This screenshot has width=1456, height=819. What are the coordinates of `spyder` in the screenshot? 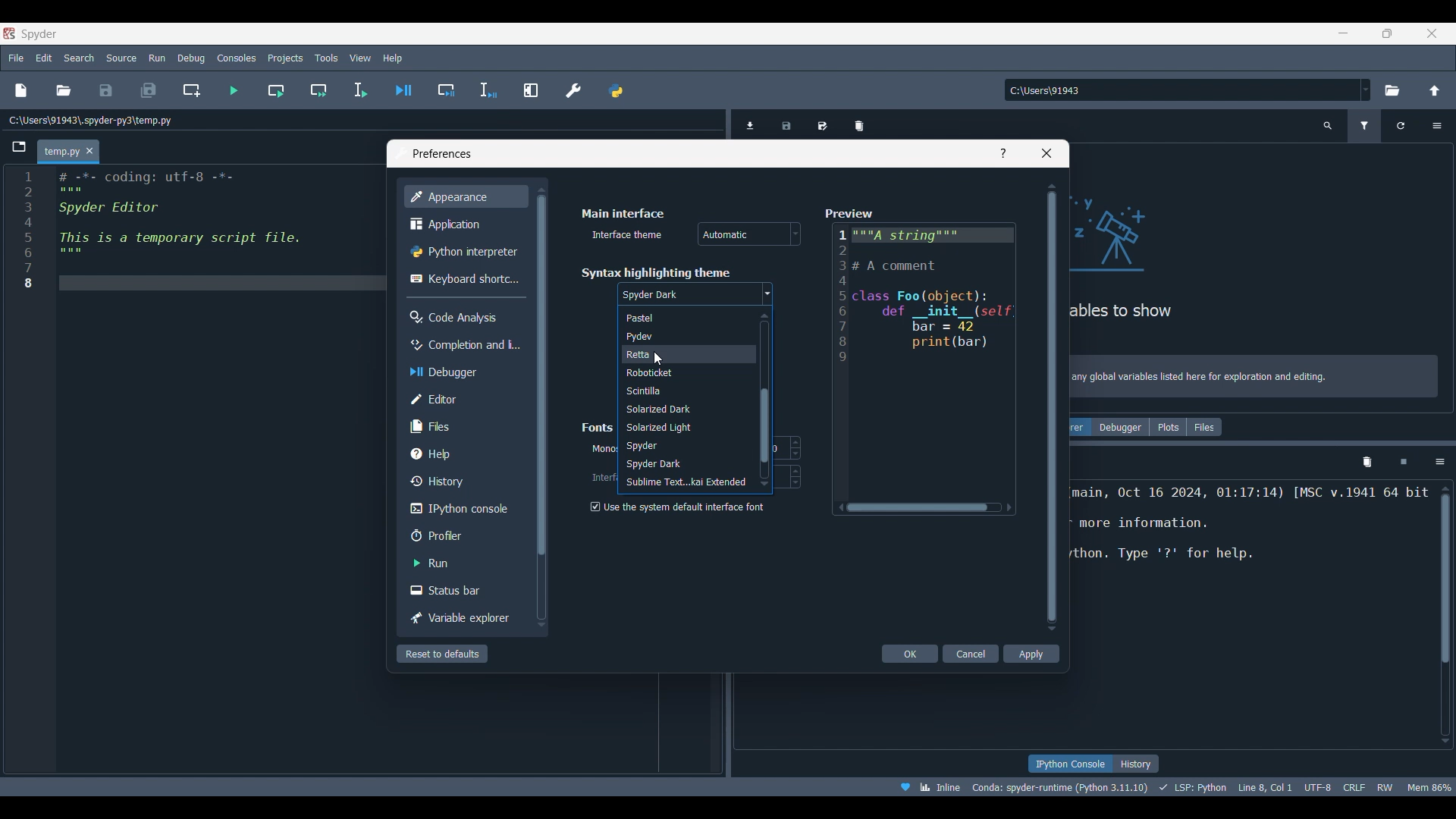 It's located at (686, 447).